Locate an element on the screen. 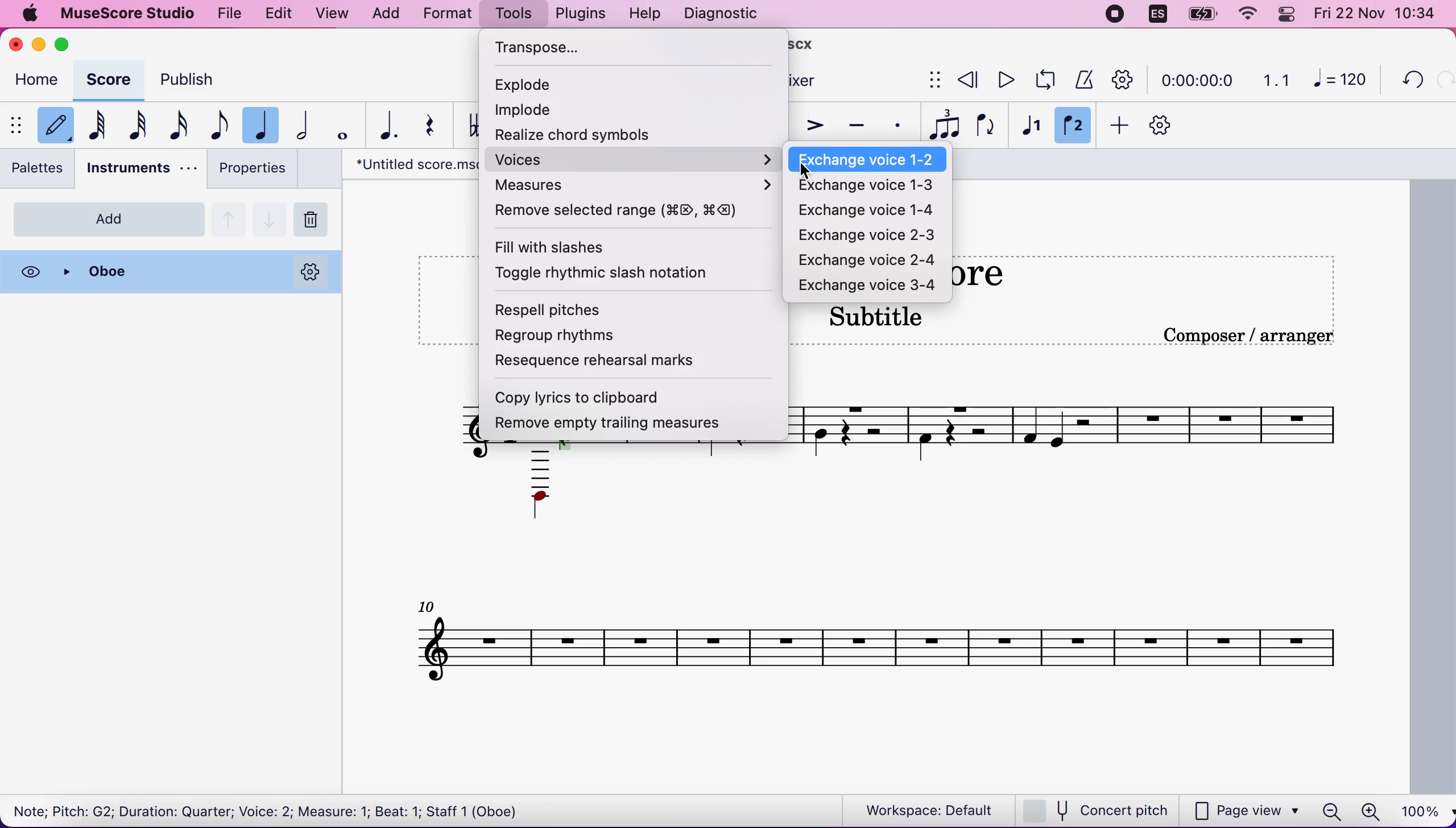  concert pitch is located at coordinates (1098, 809).